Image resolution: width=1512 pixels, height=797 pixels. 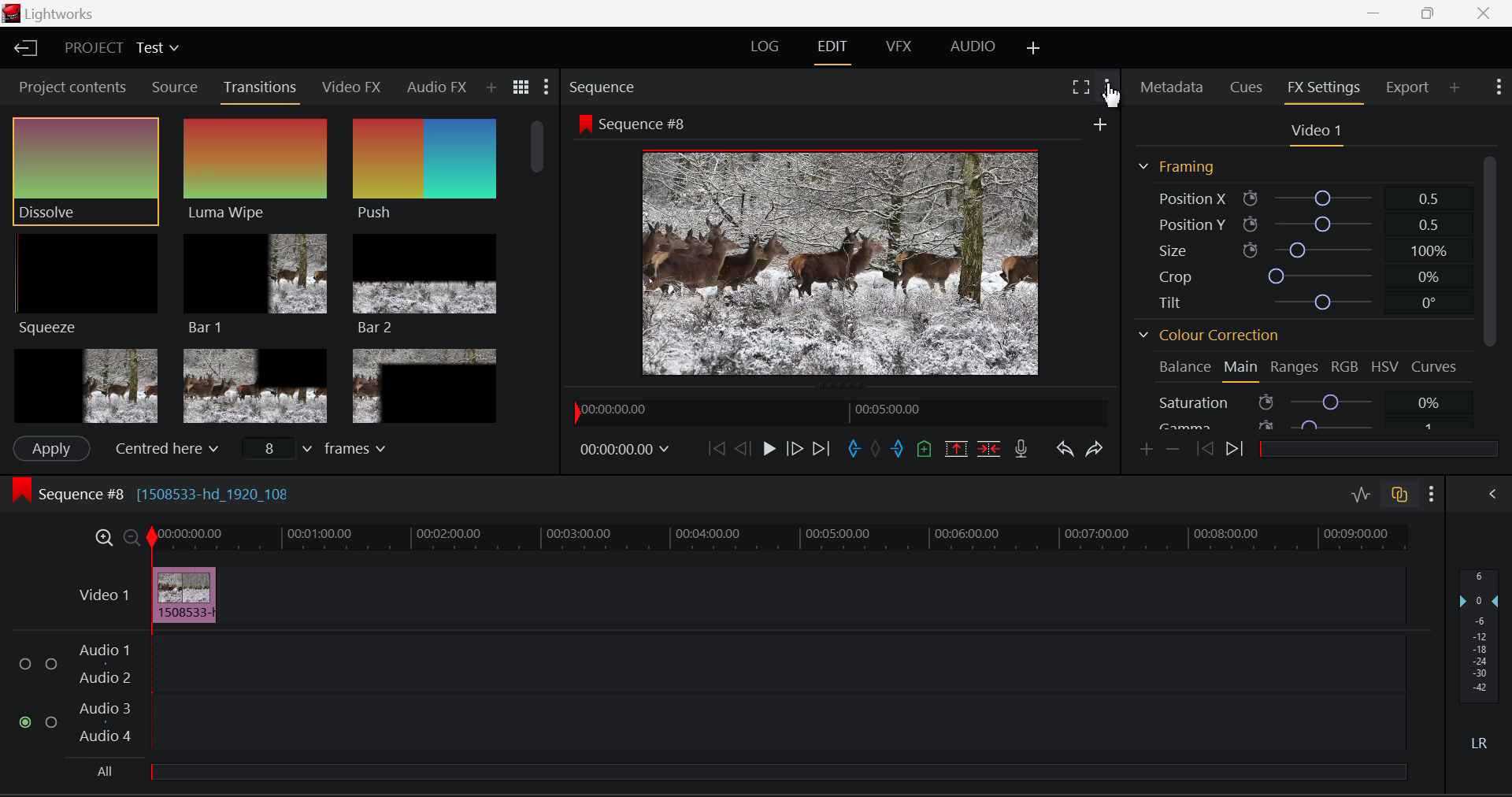 What do you see at coordinates (101, 537) in the screenshot?
I see `Timeline Zoom In` at bounding box center [101, 537].